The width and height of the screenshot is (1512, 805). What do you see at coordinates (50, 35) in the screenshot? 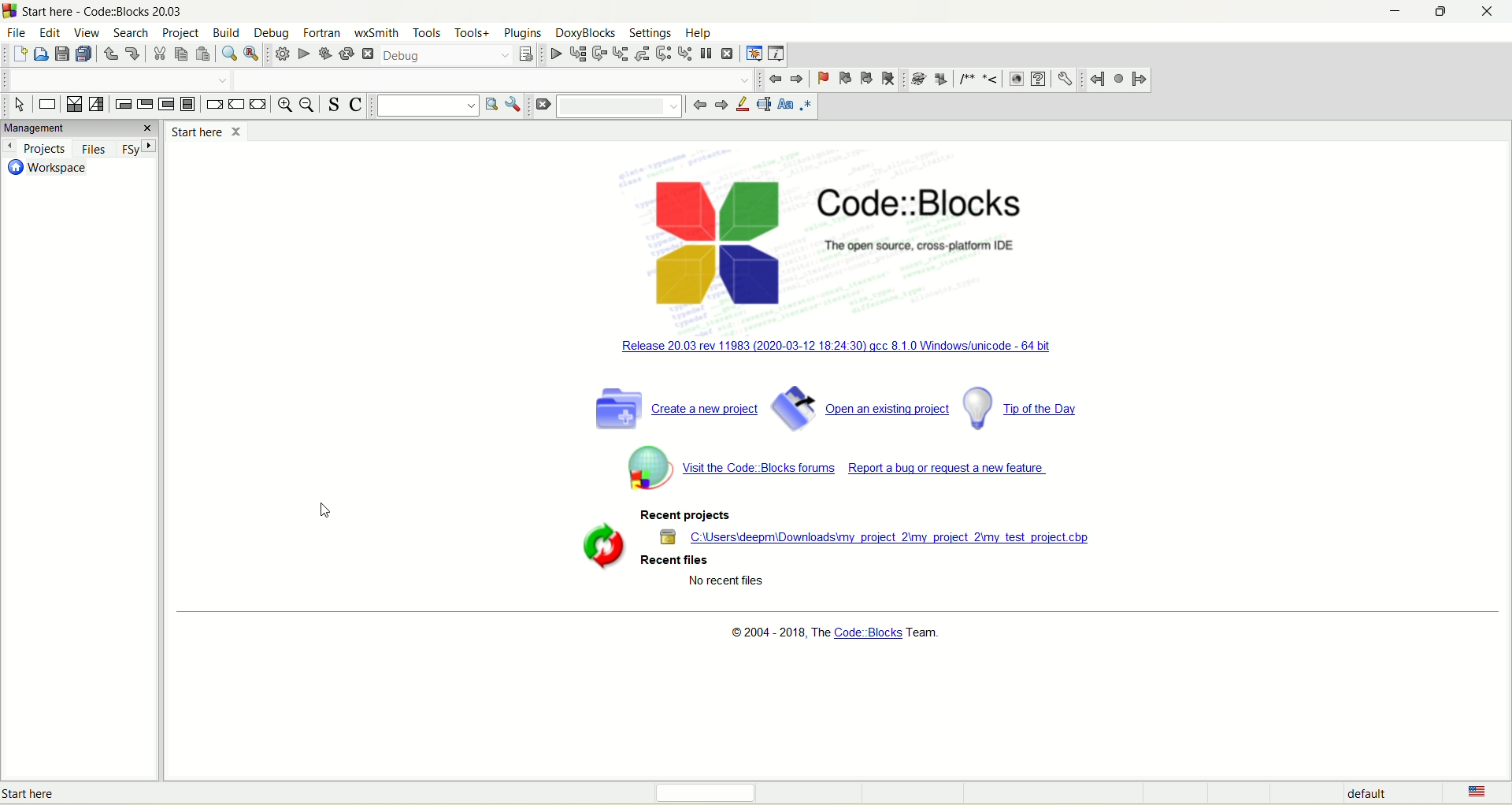
I see `edit` at bounding box center [50, 35].